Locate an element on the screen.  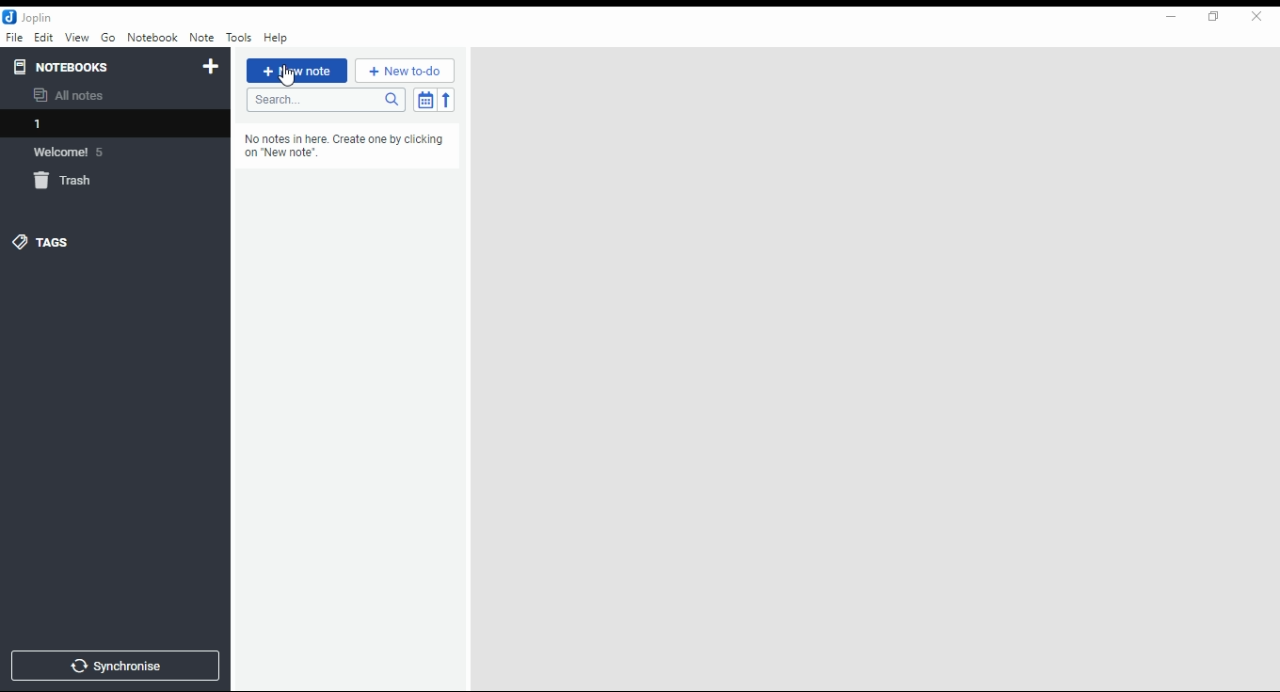
close window is located at coordinates (1257, 18).